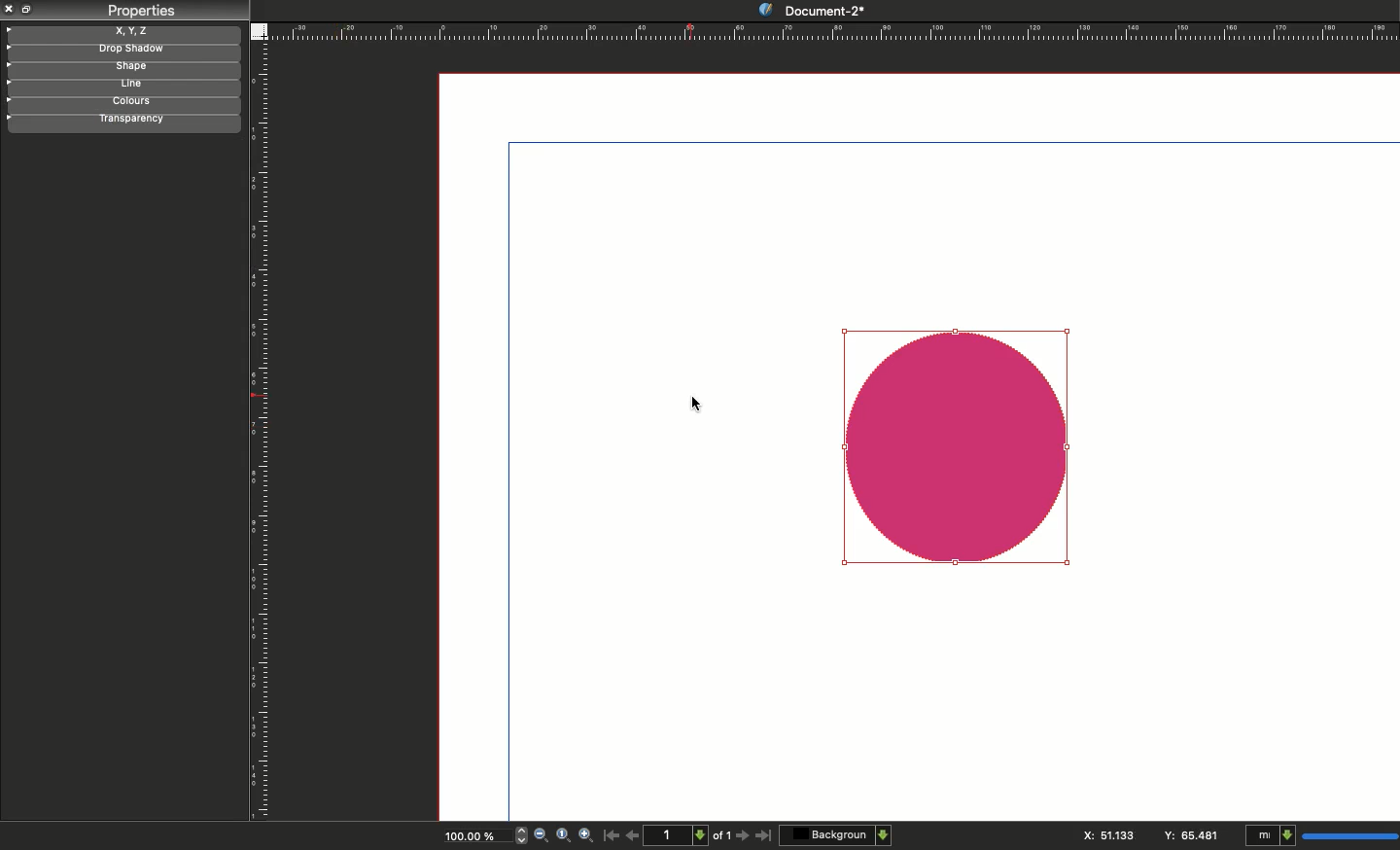  Describe the element at coordinates (262, 433) in the screenshot. I see `Ruler` at that location.